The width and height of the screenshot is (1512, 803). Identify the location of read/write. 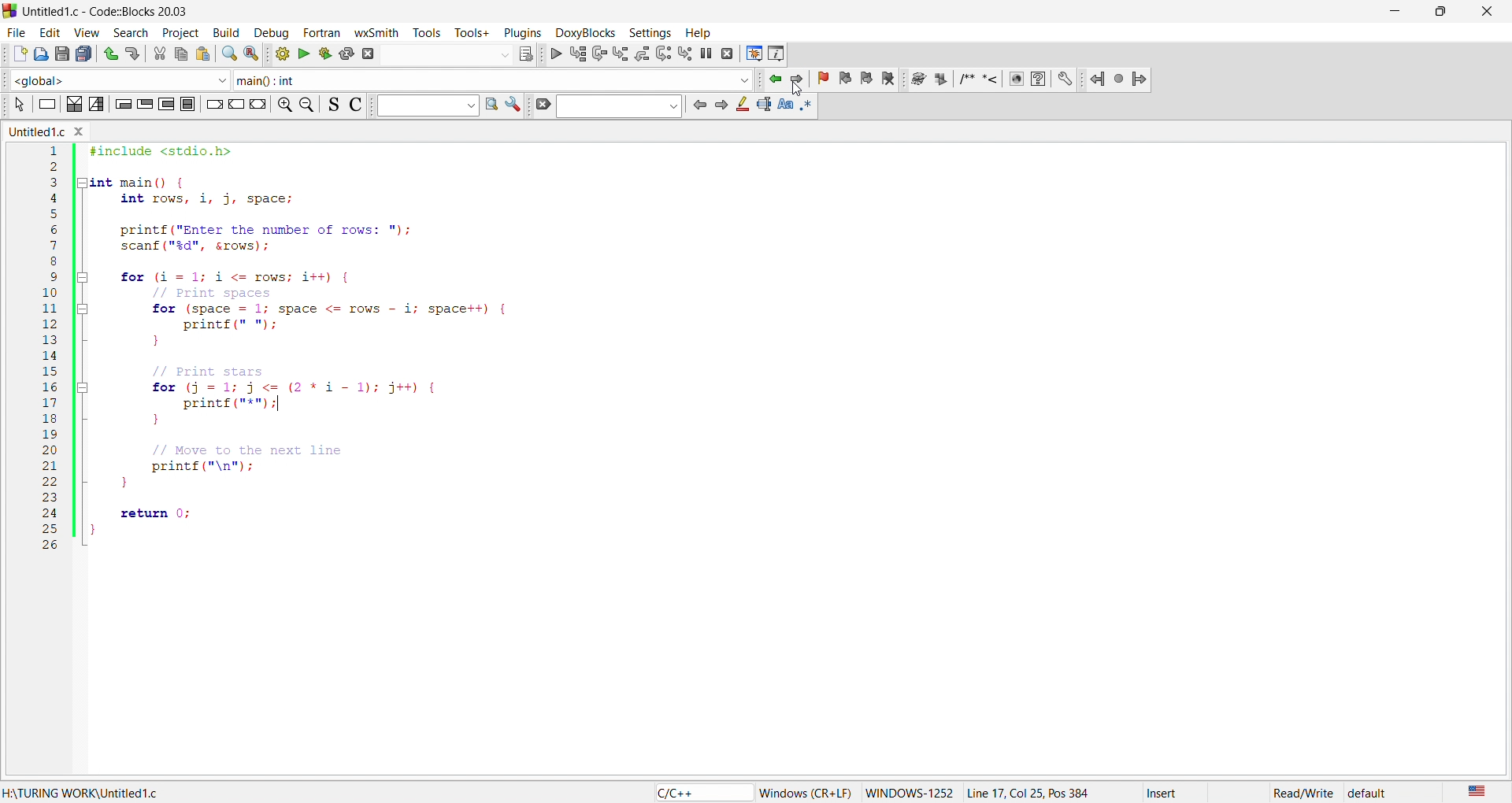
(1285, 790).